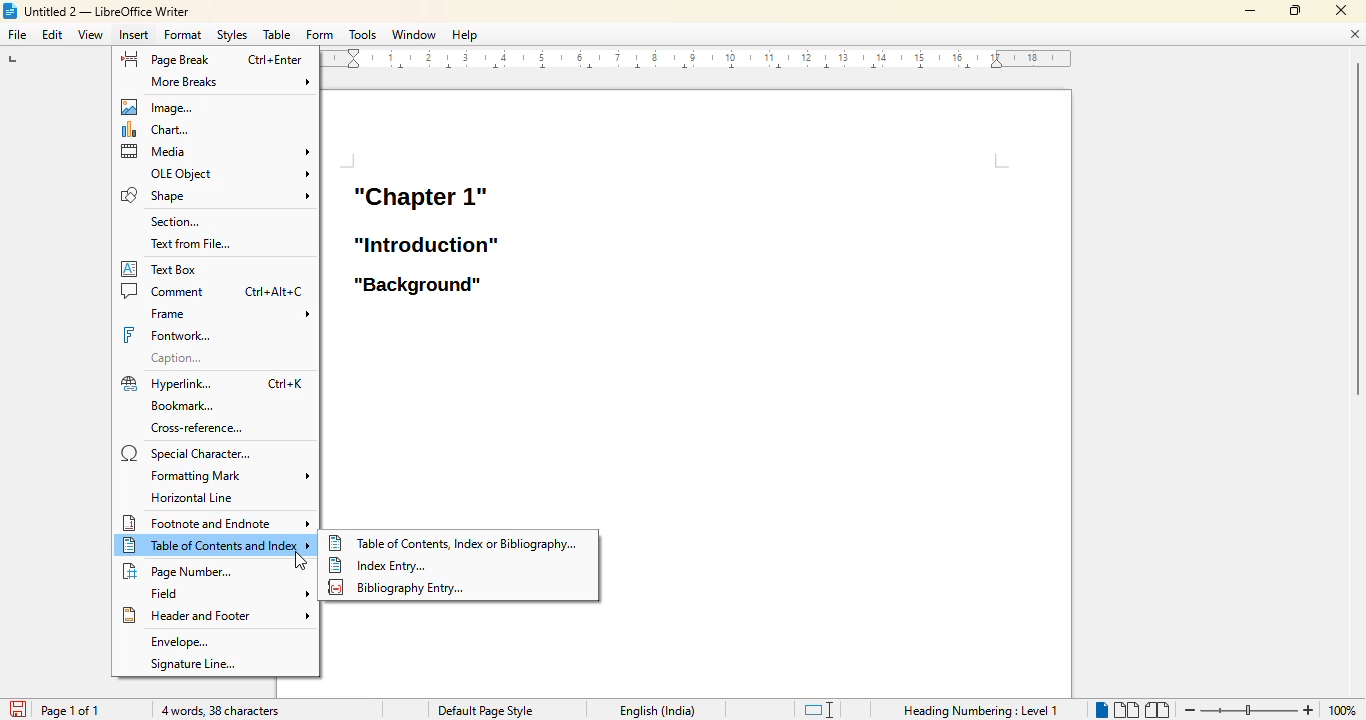  What do you see at coordinates (17, 34) in the screenshot?
I see `file` at bounding box center [17, 34].